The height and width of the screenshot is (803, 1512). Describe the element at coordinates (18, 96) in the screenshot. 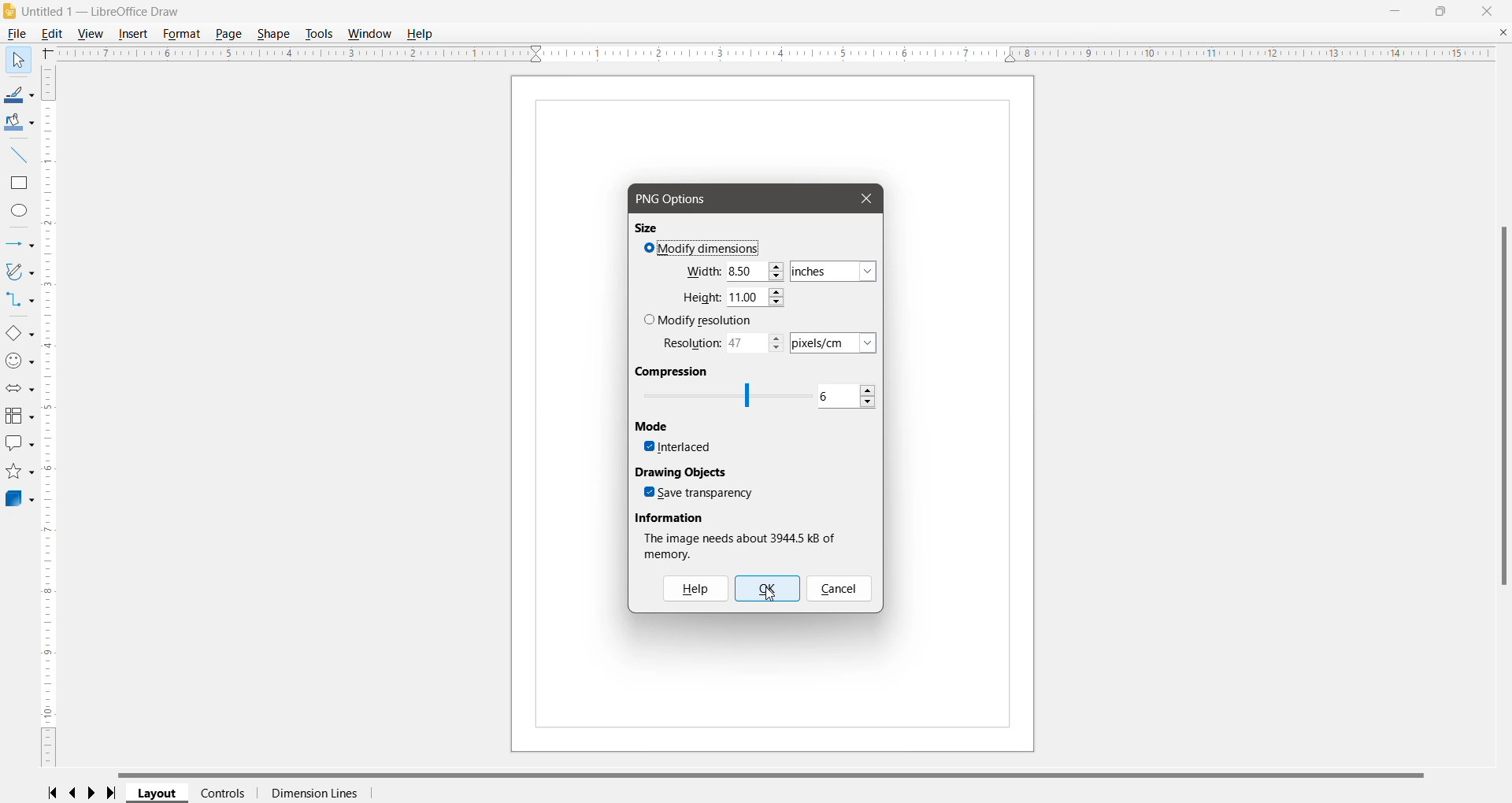

I see `Line Color` at that location.